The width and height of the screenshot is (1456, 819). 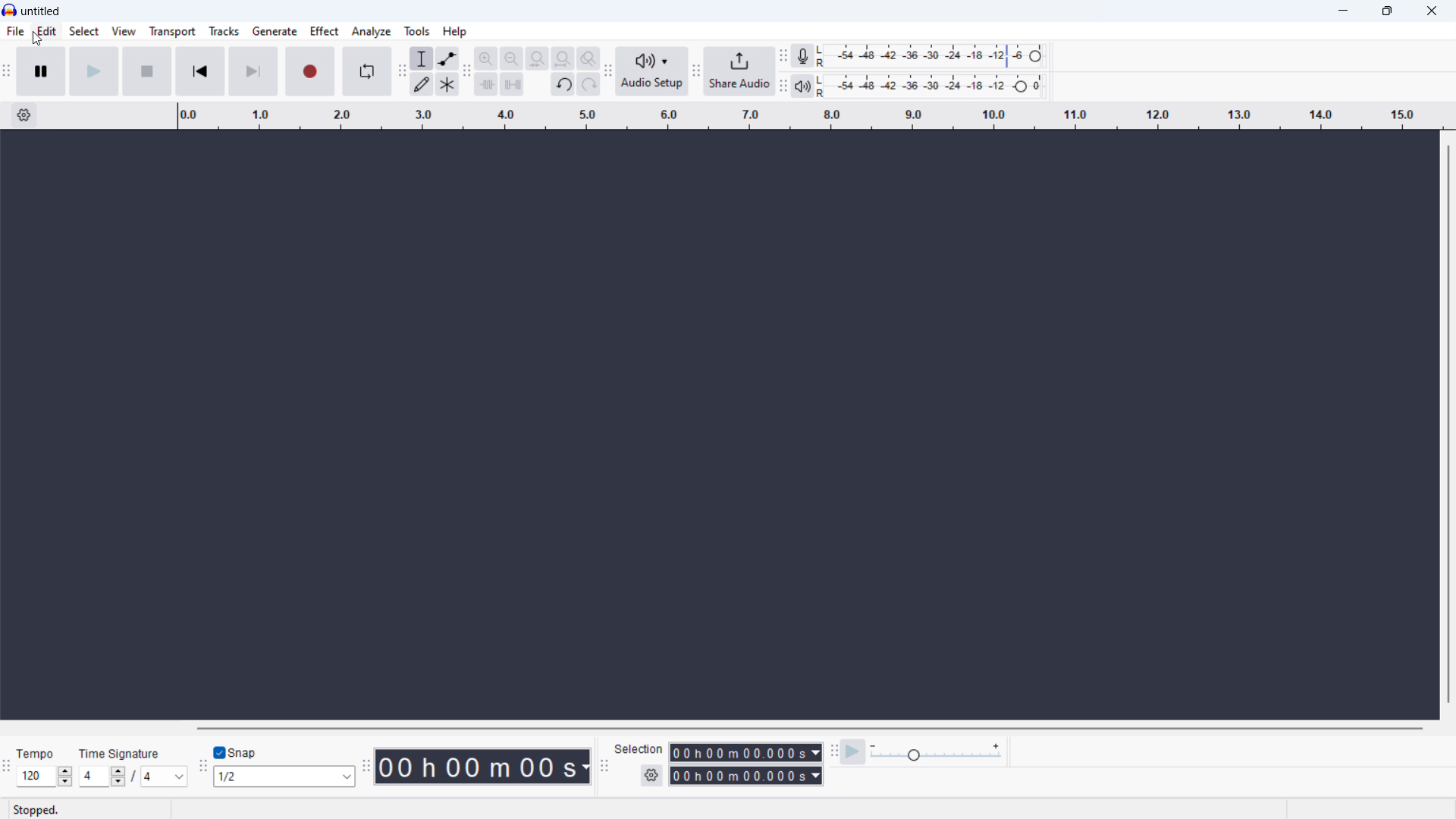 What do you see at coordinates (782, 55) in the screenshot?
I see `recording meter toolbar` at bounding box center [782, 55].